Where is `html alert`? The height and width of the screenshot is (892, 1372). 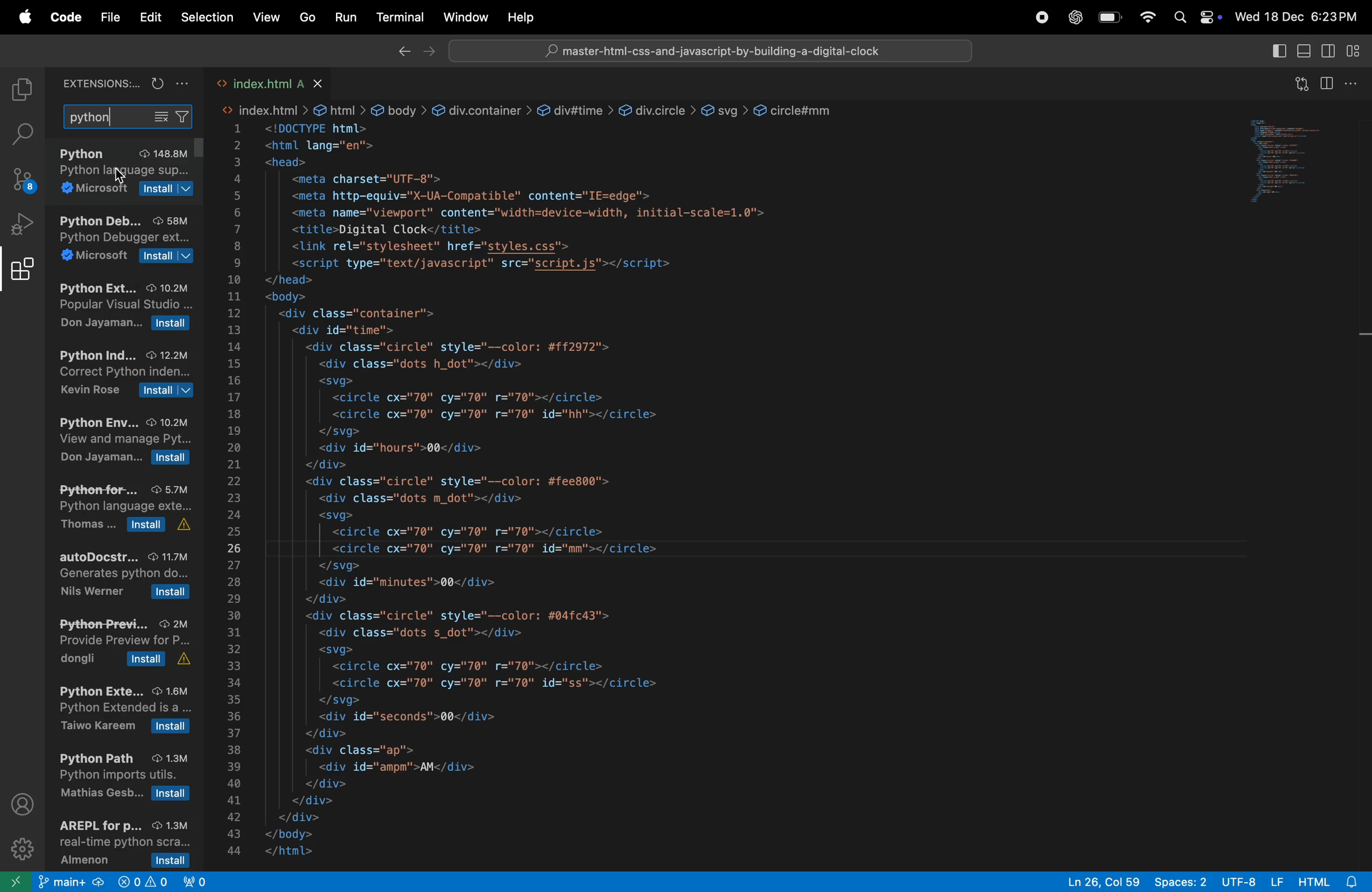
html alert is located at coordinates (1328, 882).